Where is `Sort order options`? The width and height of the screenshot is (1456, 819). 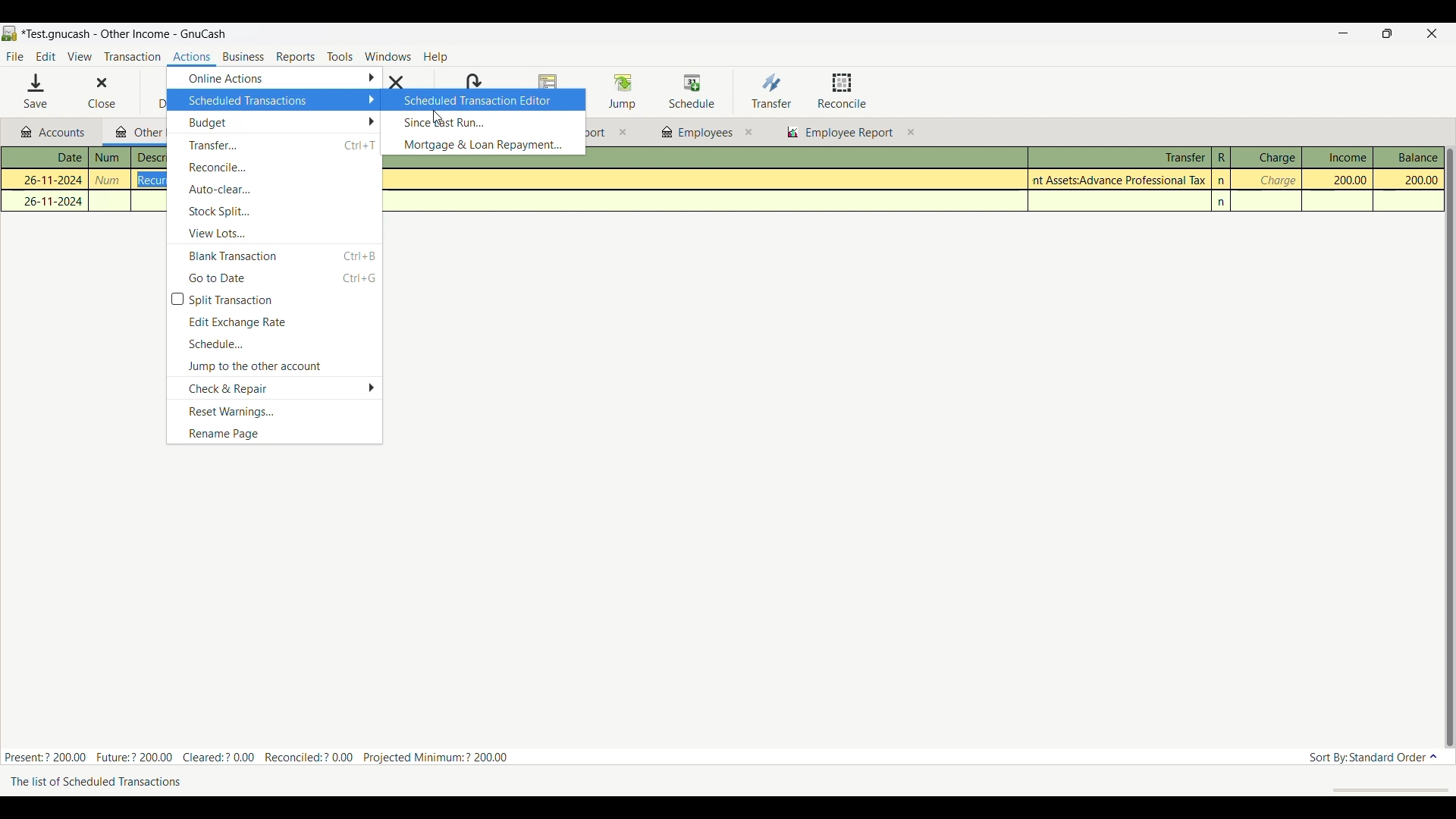 Sort order options is located at coordinates (1373, 758).